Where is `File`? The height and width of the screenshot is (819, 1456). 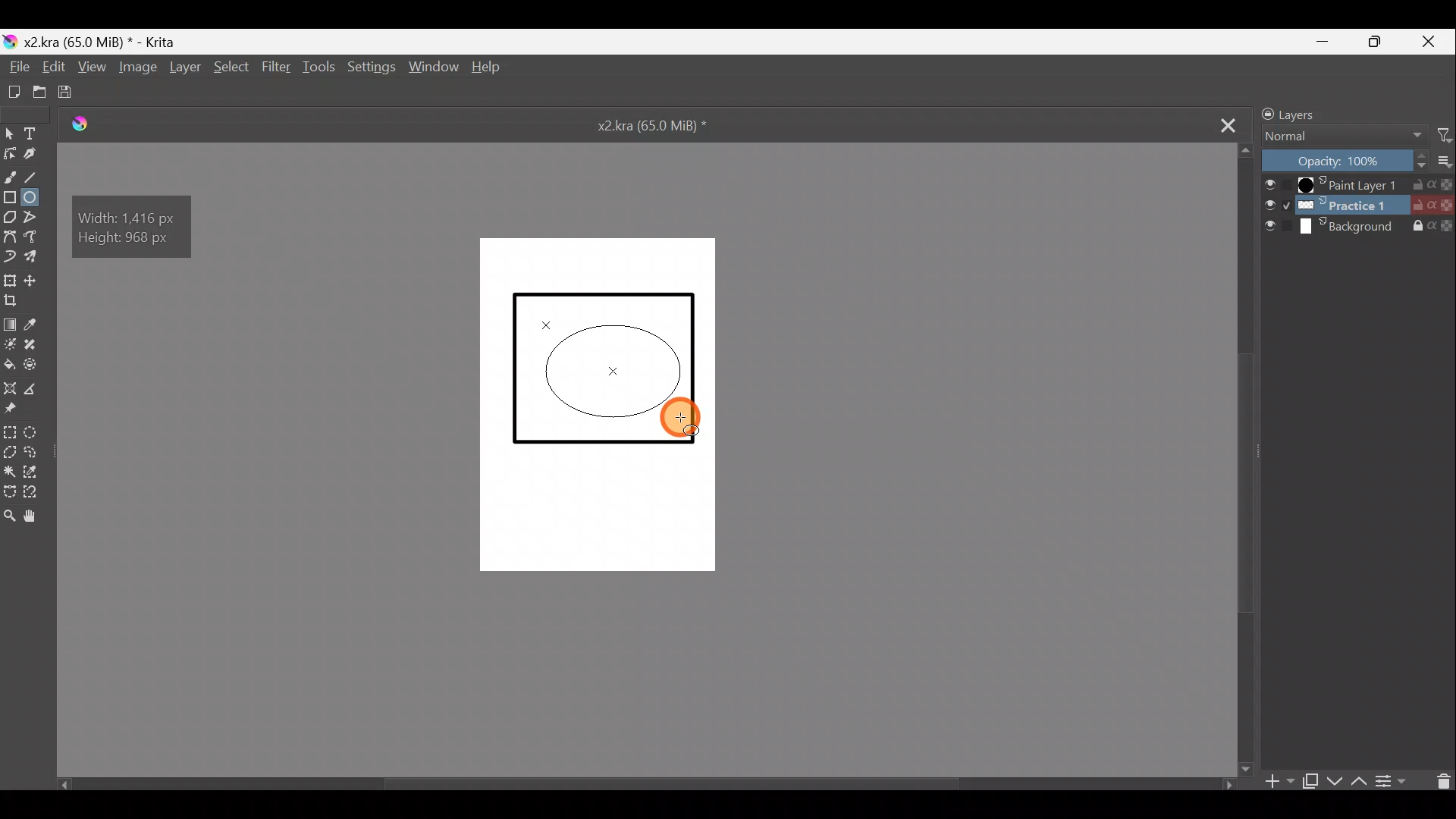
File is located at coordinates (15, 67).